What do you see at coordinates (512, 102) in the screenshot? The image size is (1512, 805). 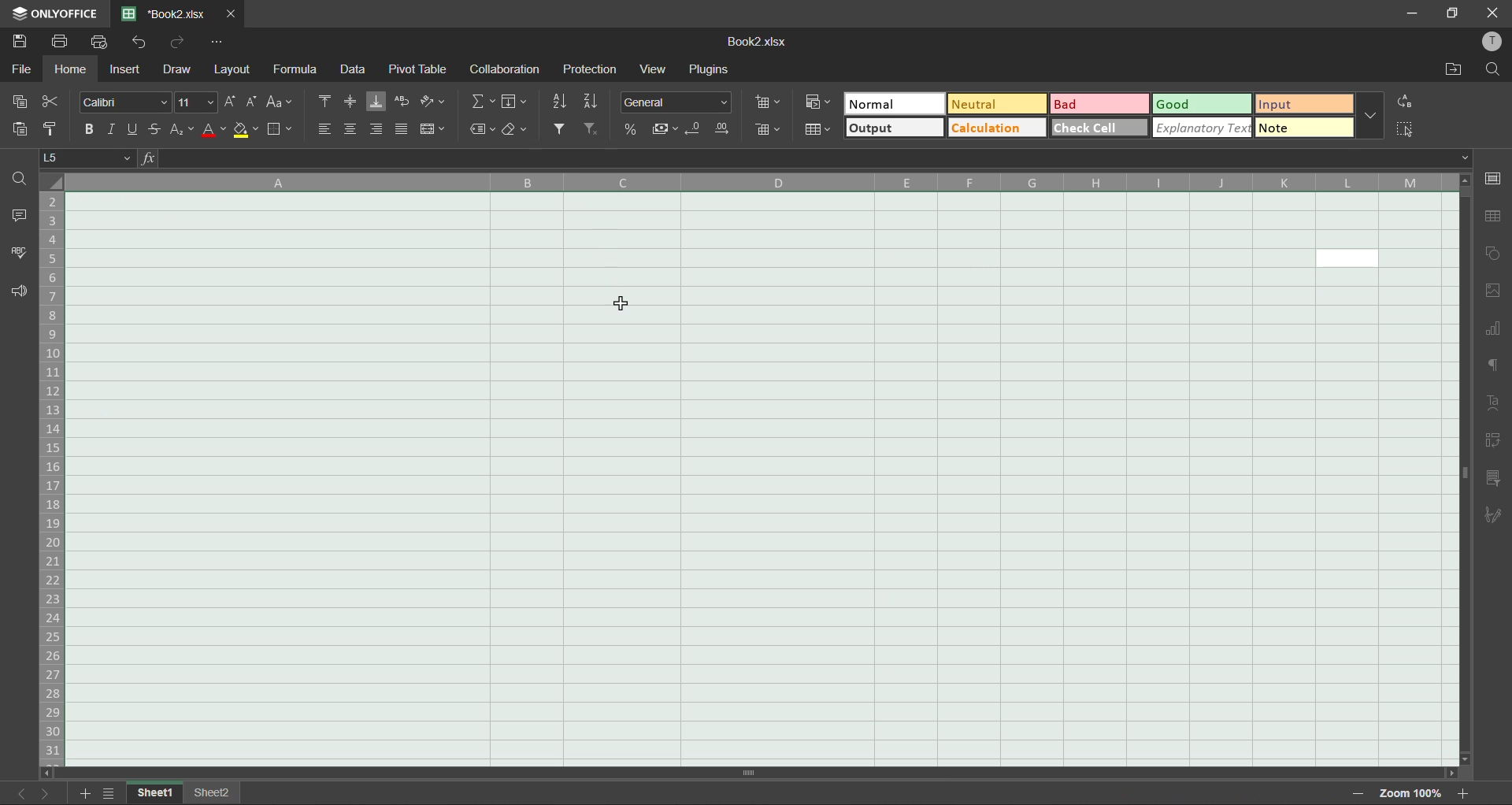 I see `` at bounding box center [512, 102].